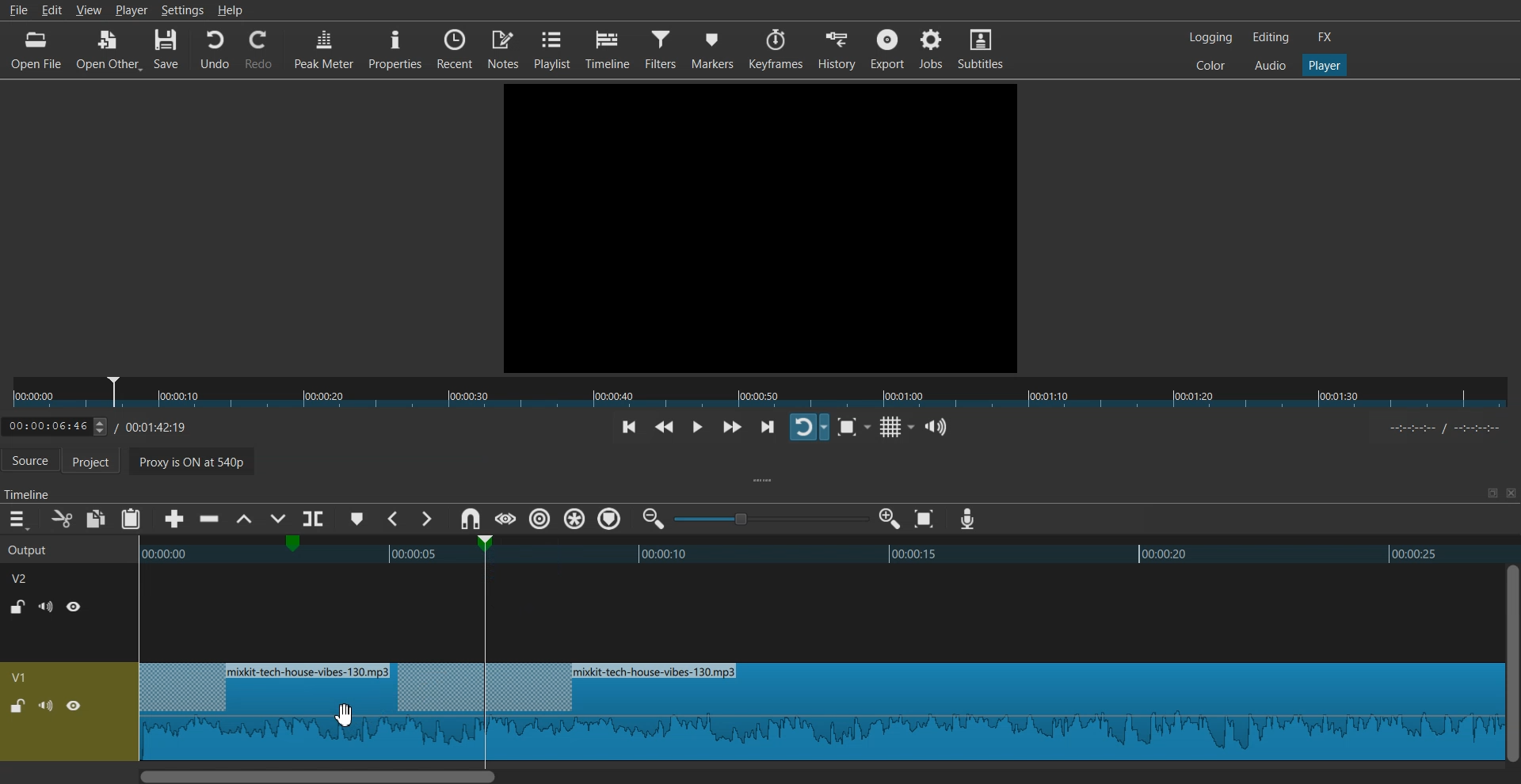 This screenshot has width=1521, height=784. What do you see at coordinates (776, 49) in the screenshot?
I see `Keyframes` at bounding box center [776, 49].